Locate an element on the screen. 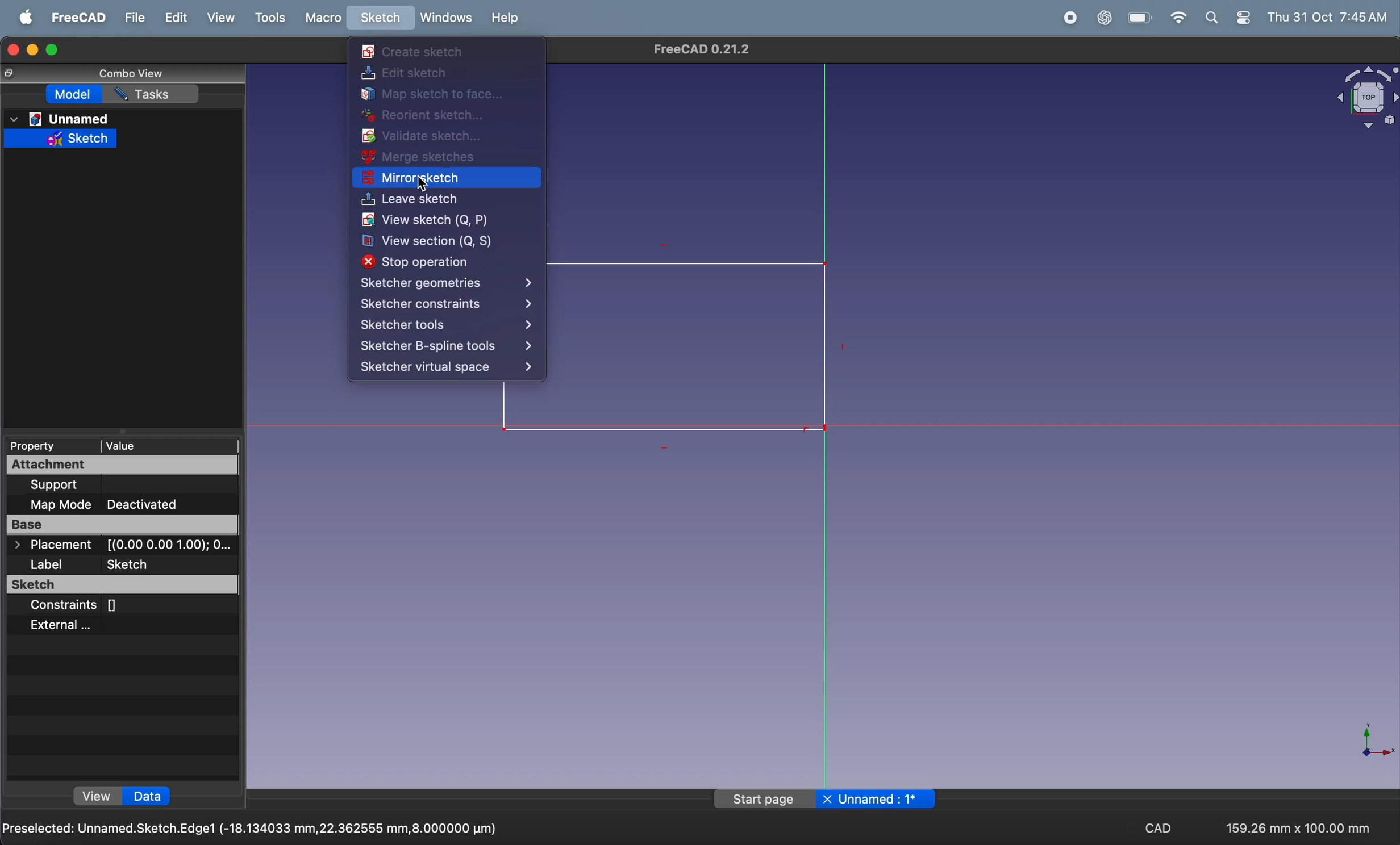  apple menu is located at coordinates (20, 18).